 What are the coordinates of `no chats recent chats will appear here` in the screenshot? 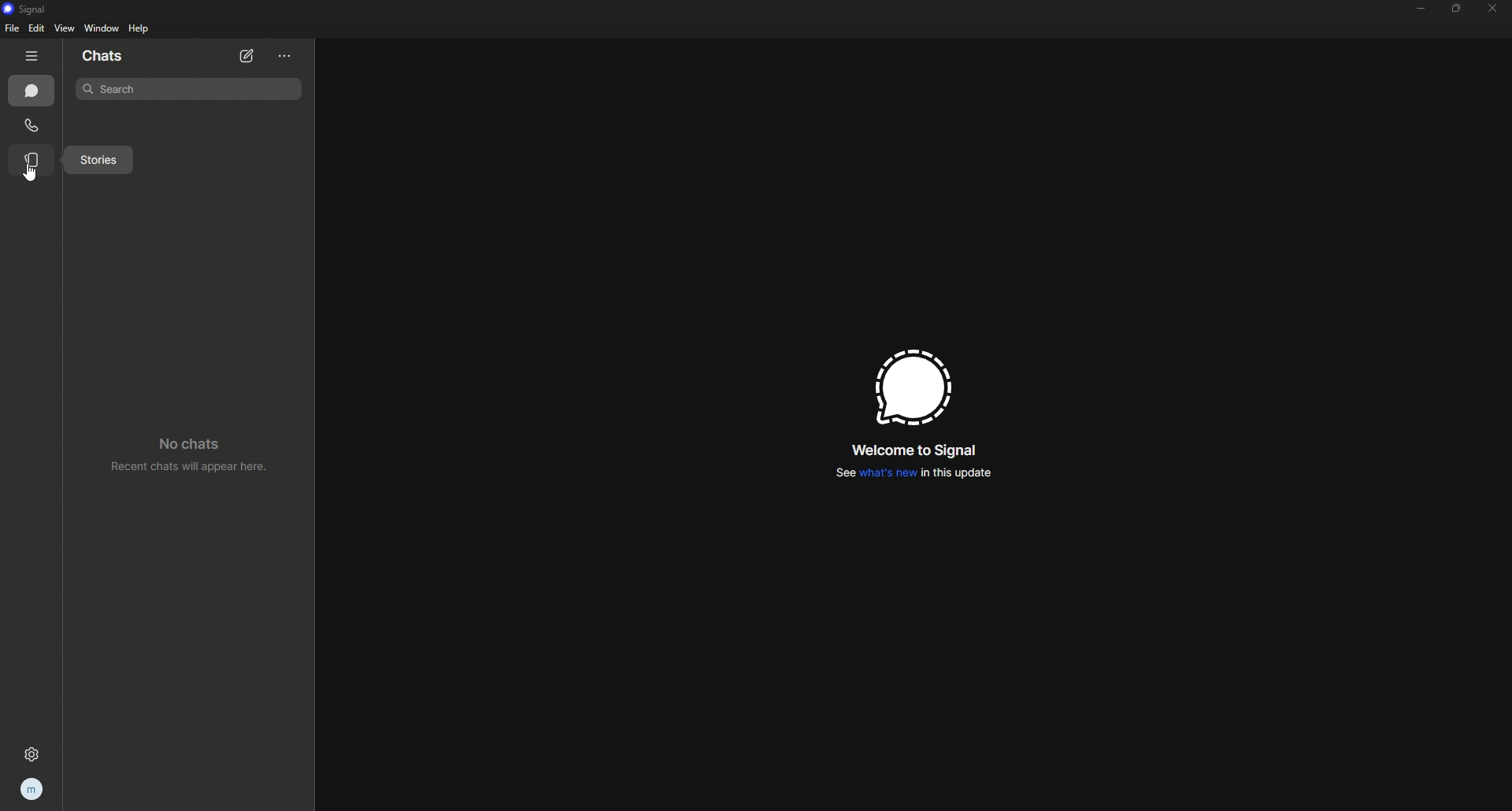 It's located at (189, 452).